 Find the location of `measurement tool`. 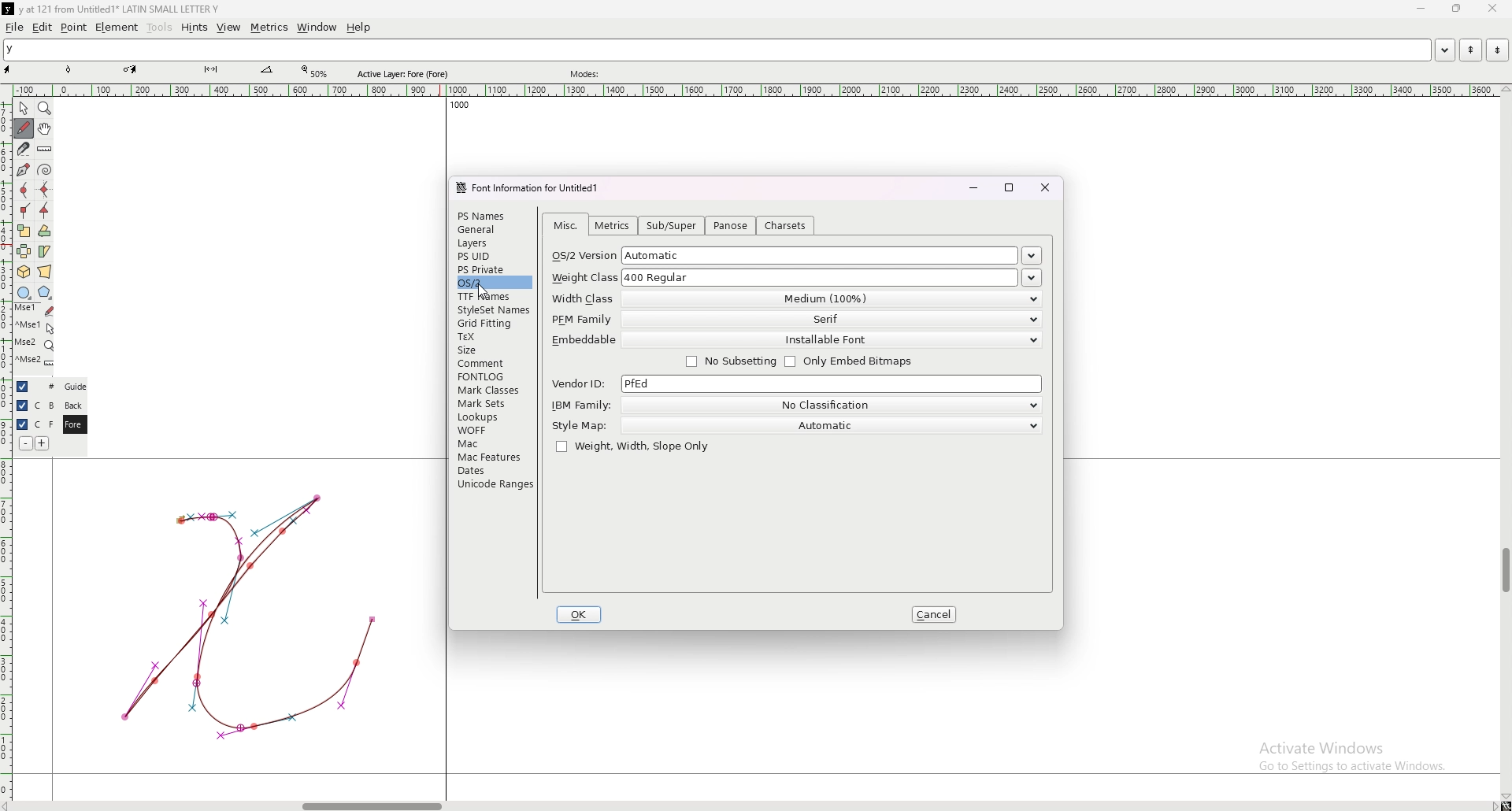

measurement tool is located at coordinates (267, 70).